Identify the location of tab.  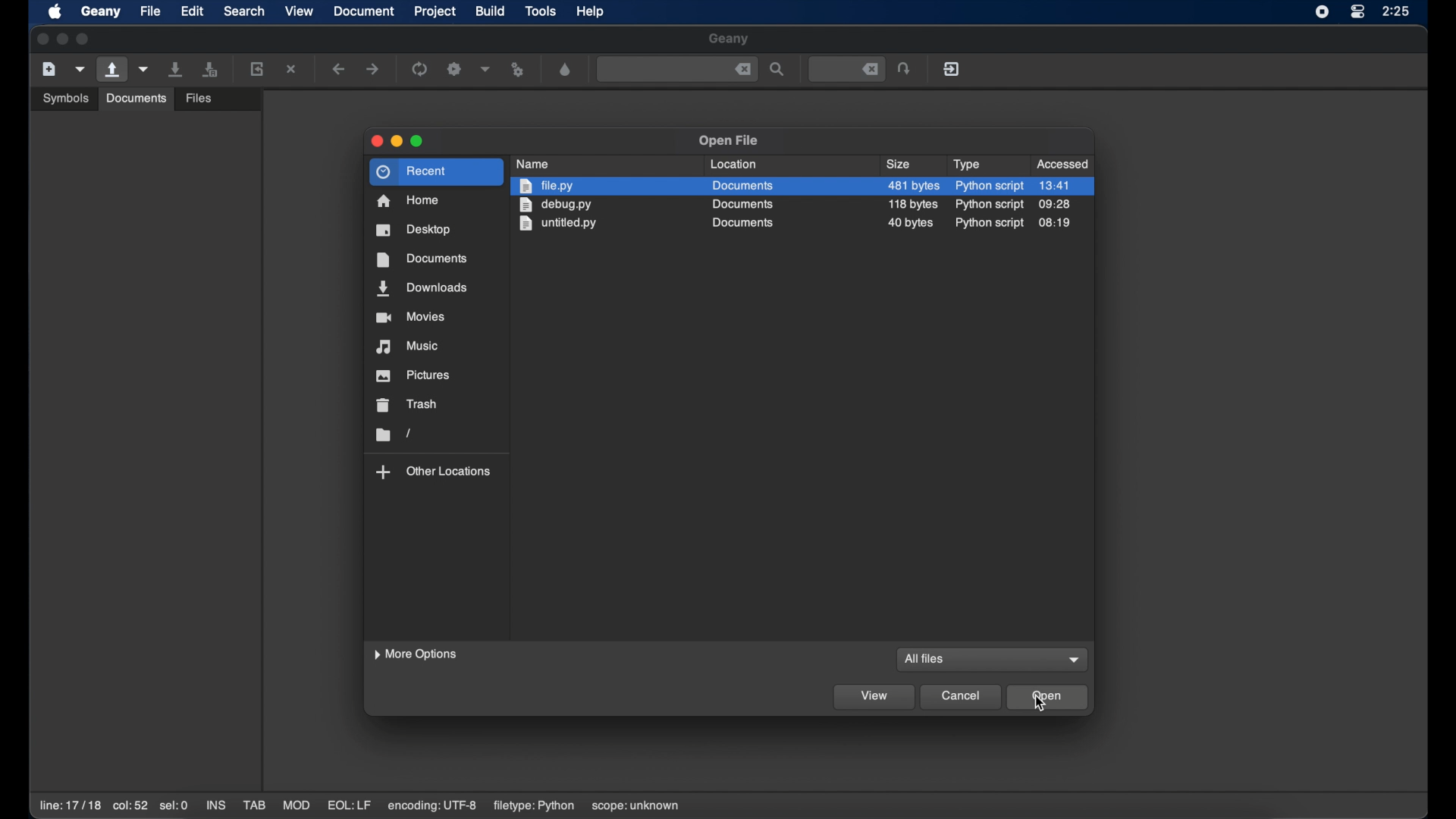
(256, 805).